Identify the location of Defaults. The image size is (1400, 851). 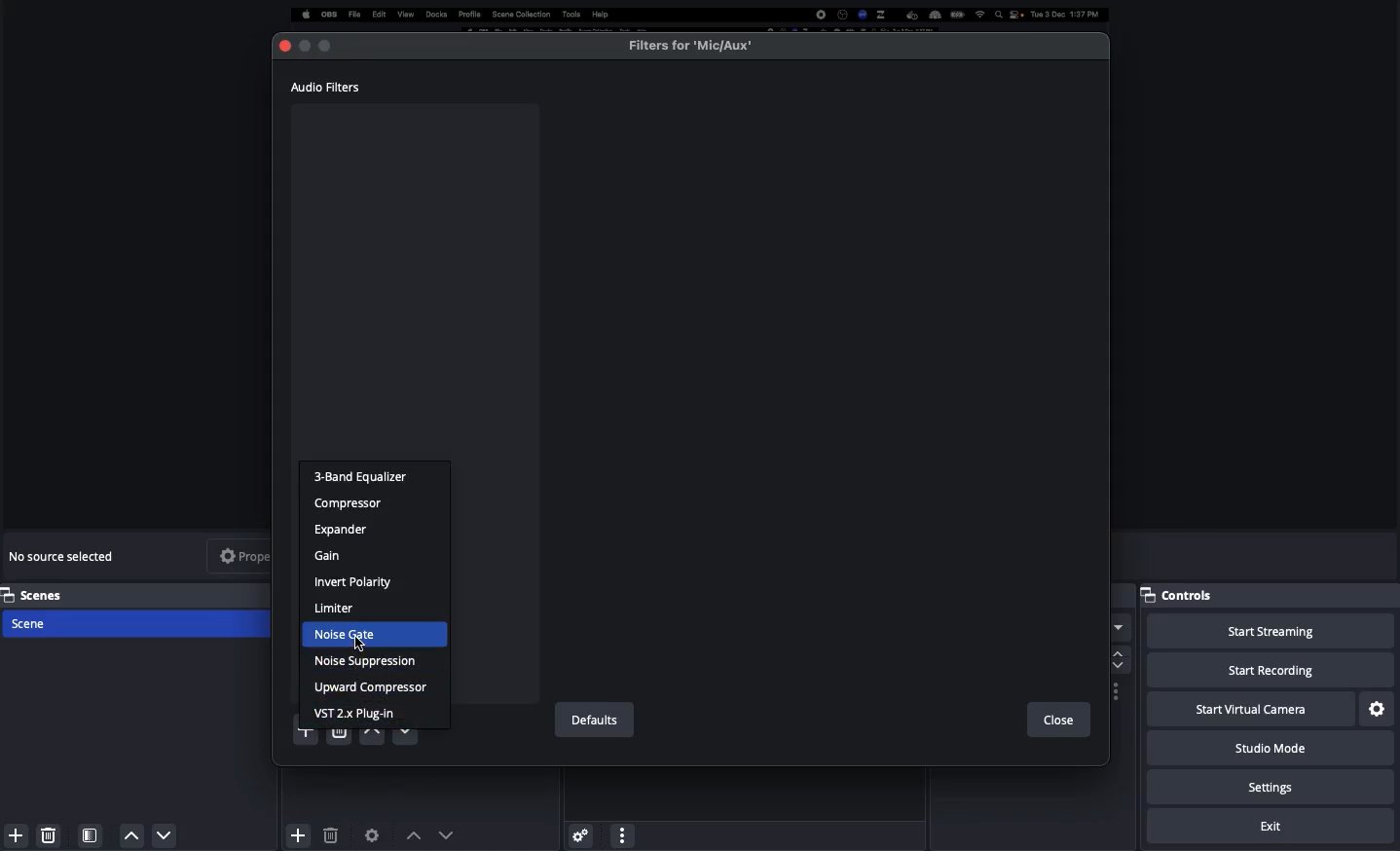
(592, 721).